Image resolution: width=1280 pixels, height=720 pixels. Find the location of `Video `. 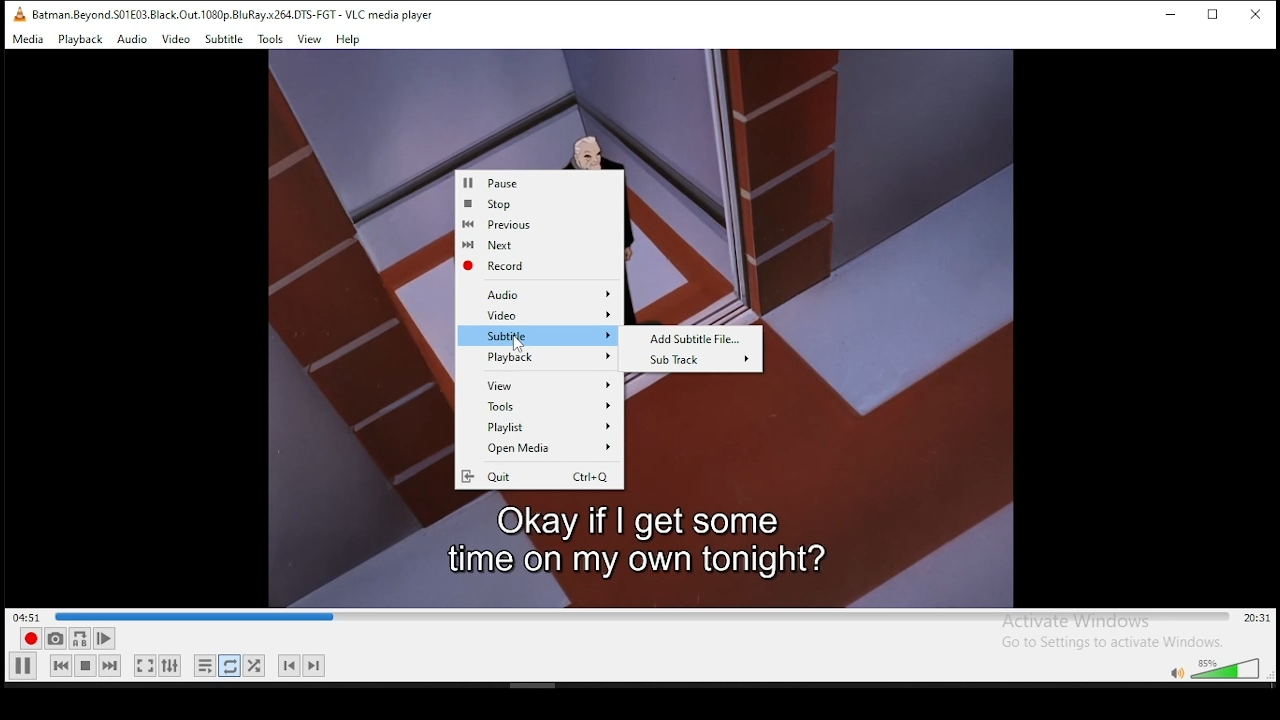

Video  is located at coordinates (543, 315).